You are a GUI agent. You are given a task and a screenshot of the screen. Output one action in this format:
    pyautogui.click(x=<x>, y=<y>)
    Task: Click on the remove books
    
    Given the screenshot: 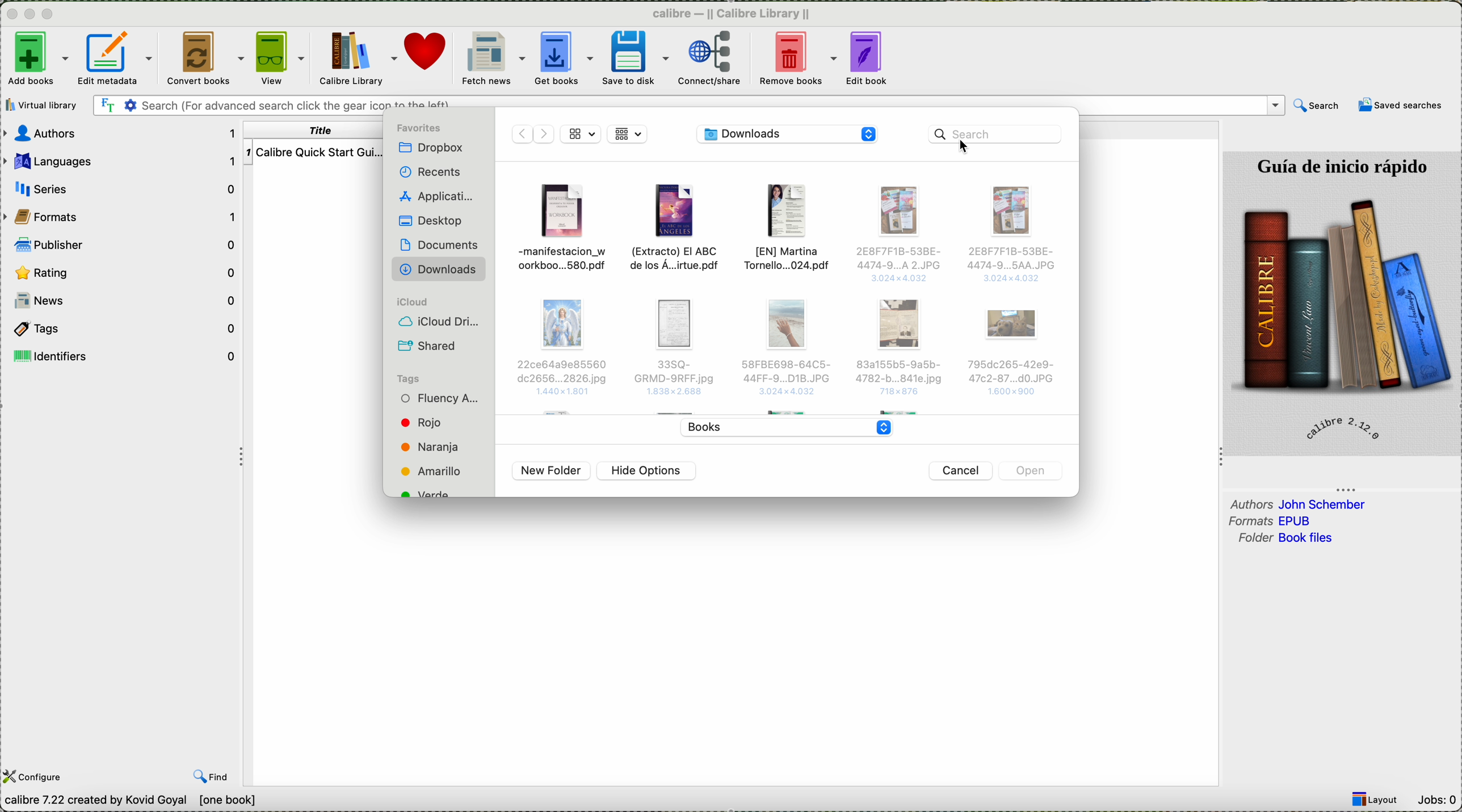 What is the action you would take?
    pyautogui.click(x=797, y=59)
    